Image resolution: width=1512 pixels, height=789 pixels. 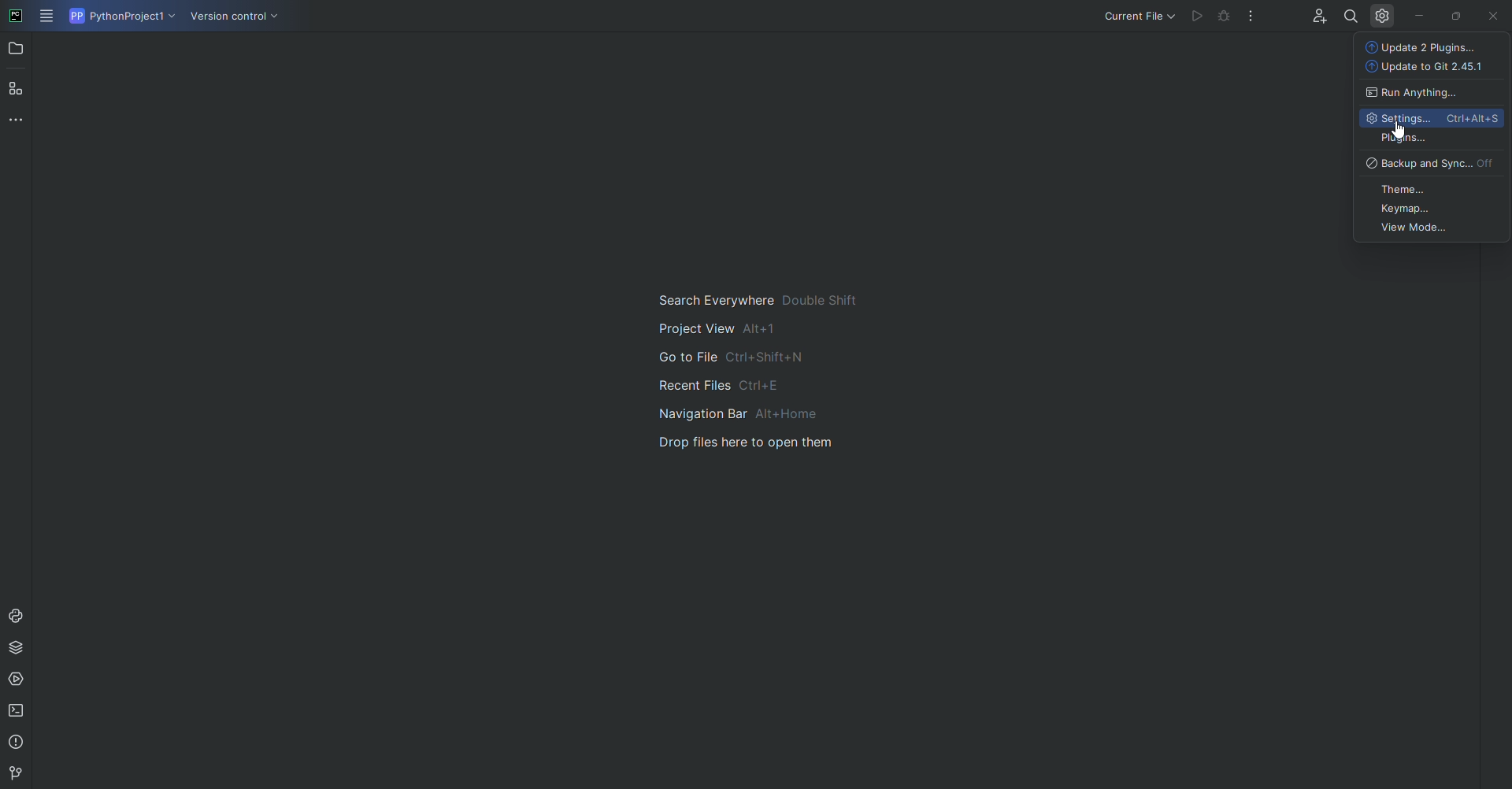 What do you see at coordinates (1254, 20) in the screenshot?
I see `More Options` at bounding box center [1254, 20].